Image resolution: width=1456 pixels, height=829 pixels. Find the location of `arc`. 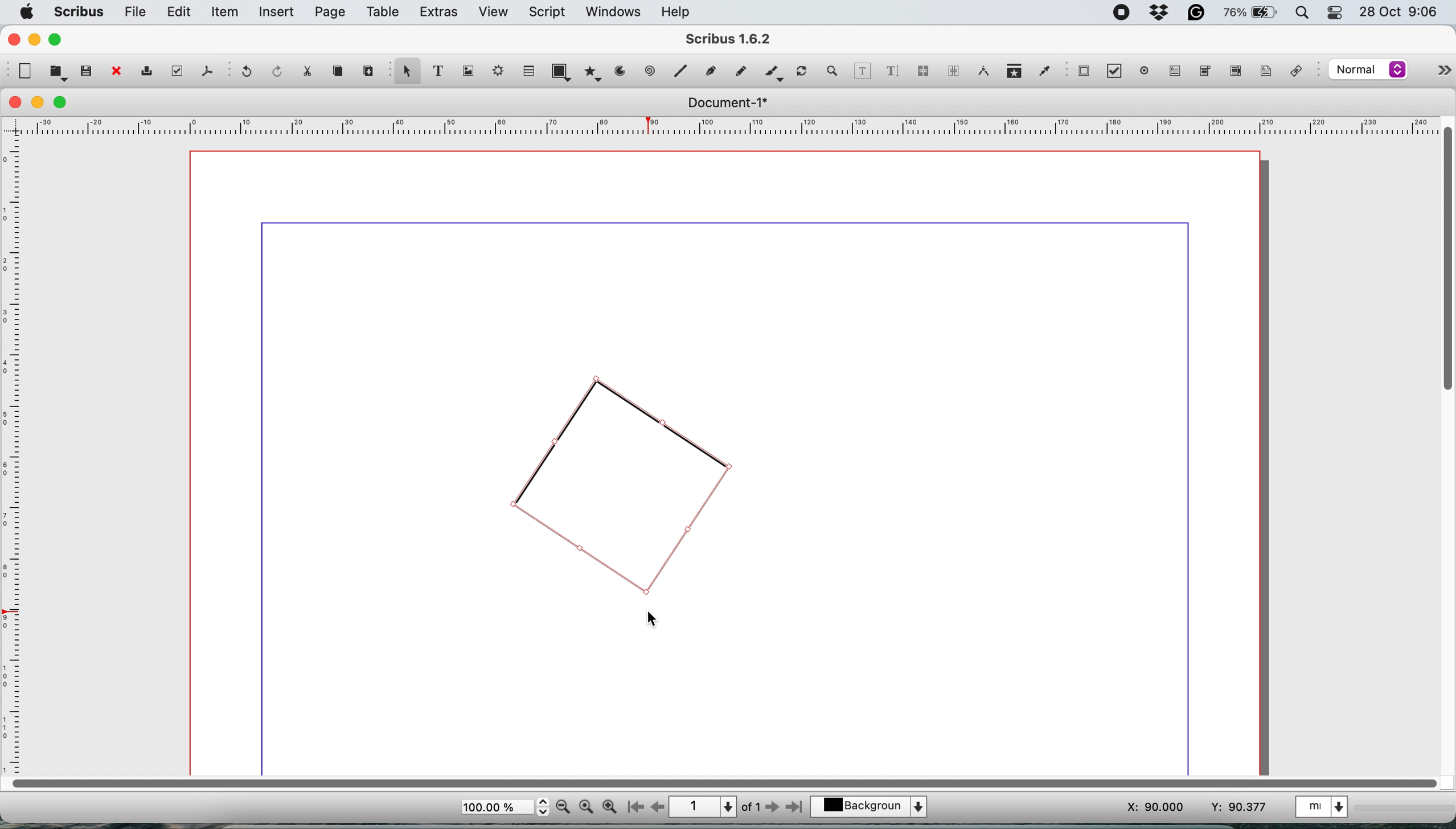

arc is located at coordinates (619, 75).